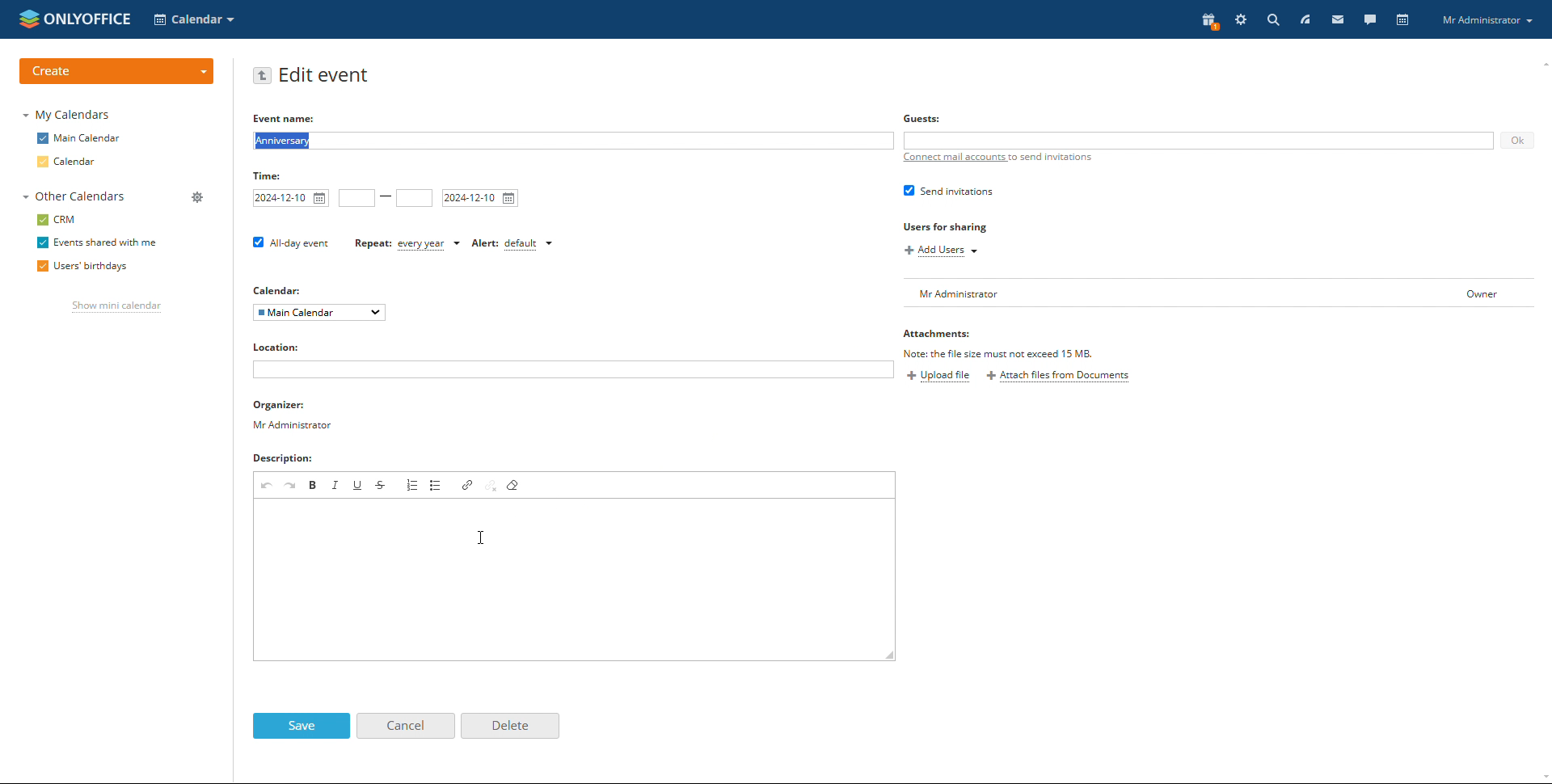  Describe the element at coordinates (951, 190) in the screenshot. I see `send invitations` at that location.